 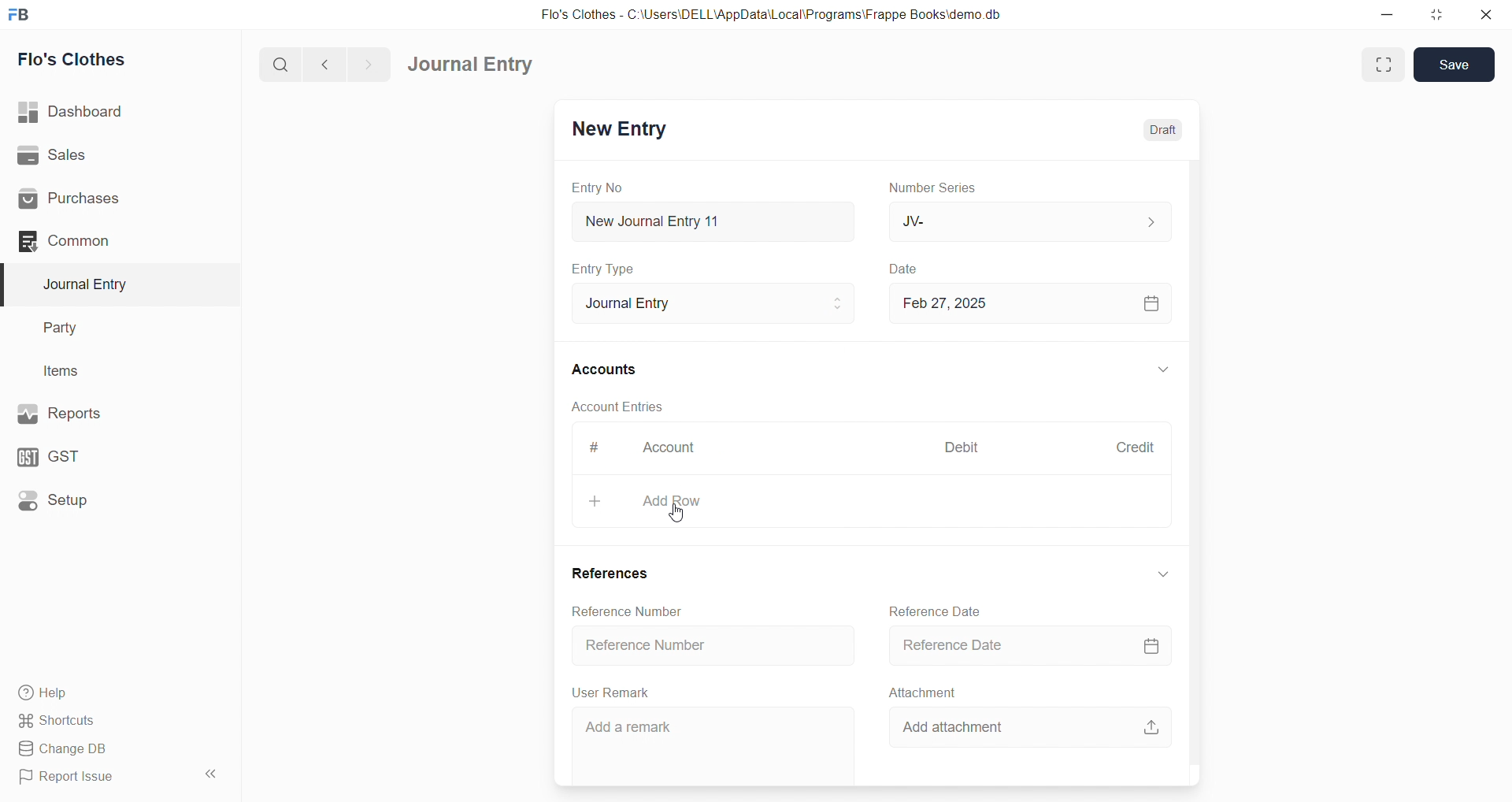 What do you see at coordinates (1028, 219) in the screenshot?
I see `JV-` at bounding box center [1028, 219].